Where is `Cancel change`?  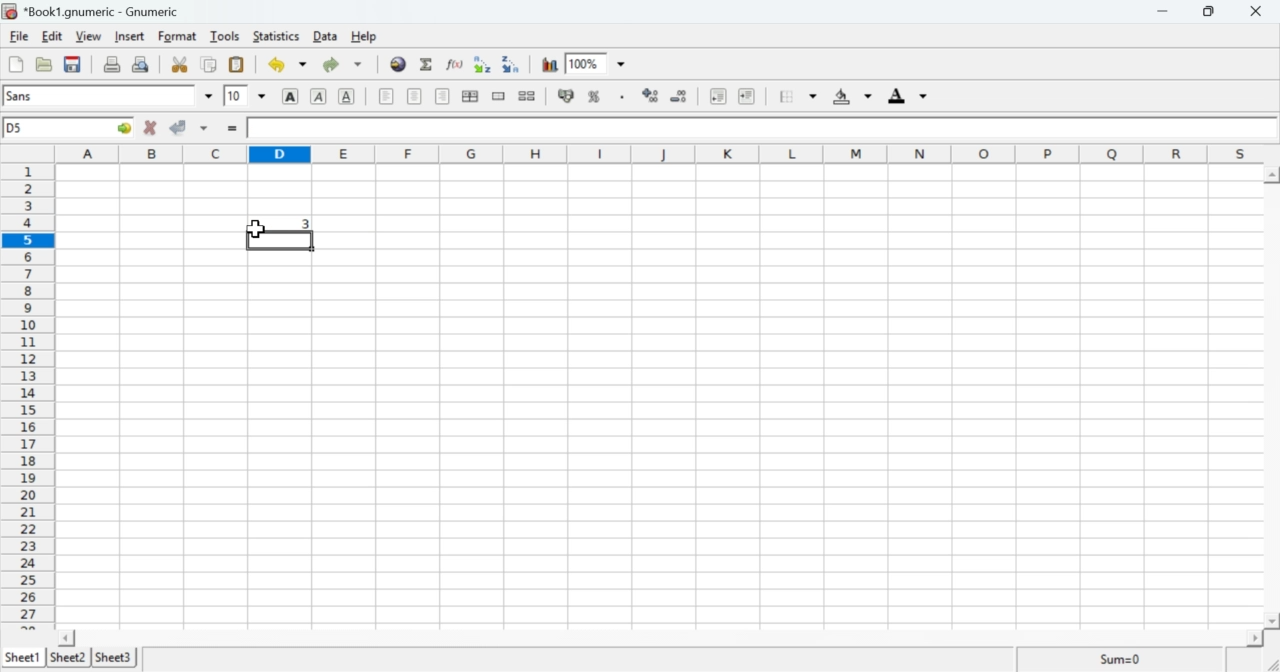 Cancel change is located at coordinates (151, 129).